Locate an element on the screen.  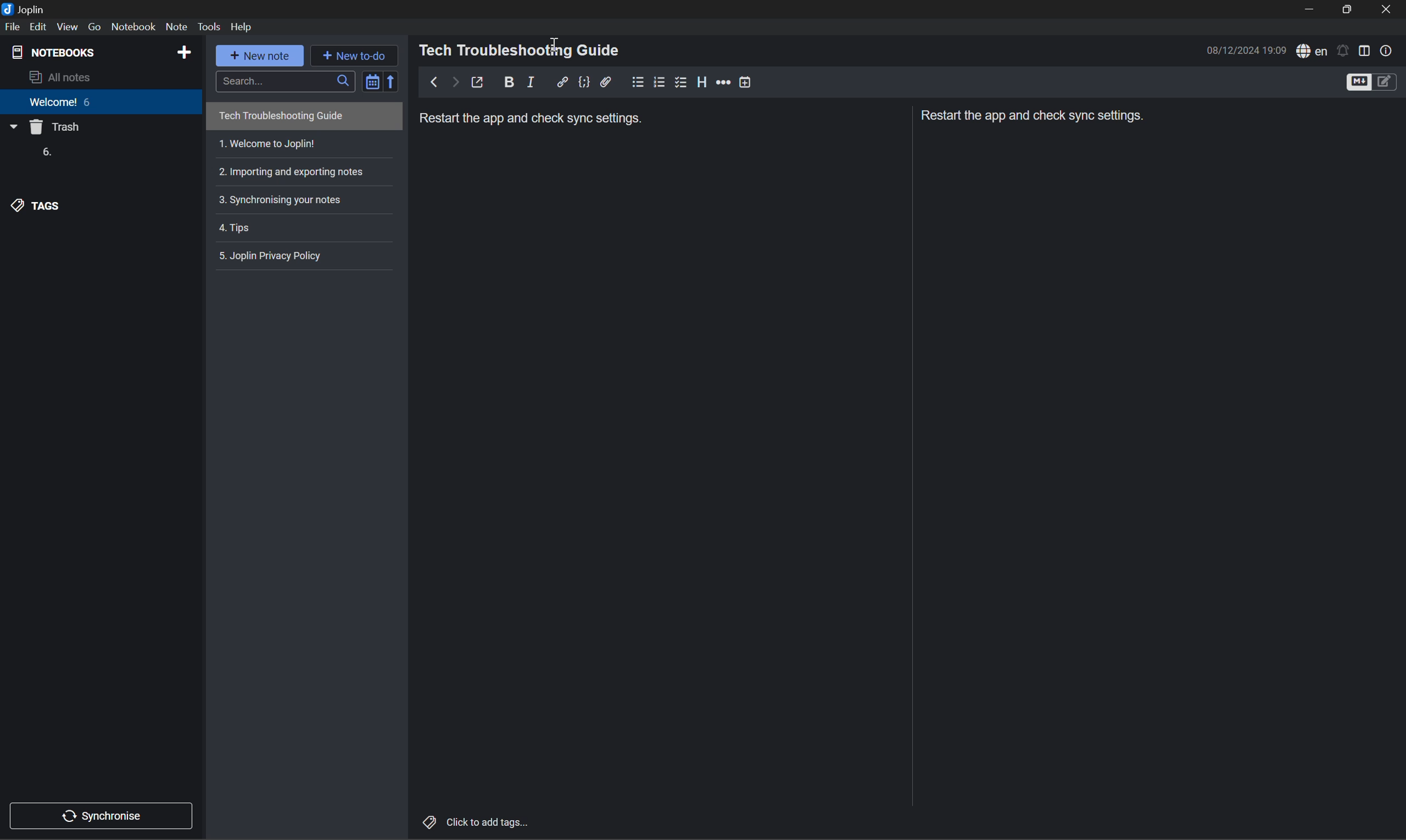
Reverse sort order is located at coordinates (394, 81).